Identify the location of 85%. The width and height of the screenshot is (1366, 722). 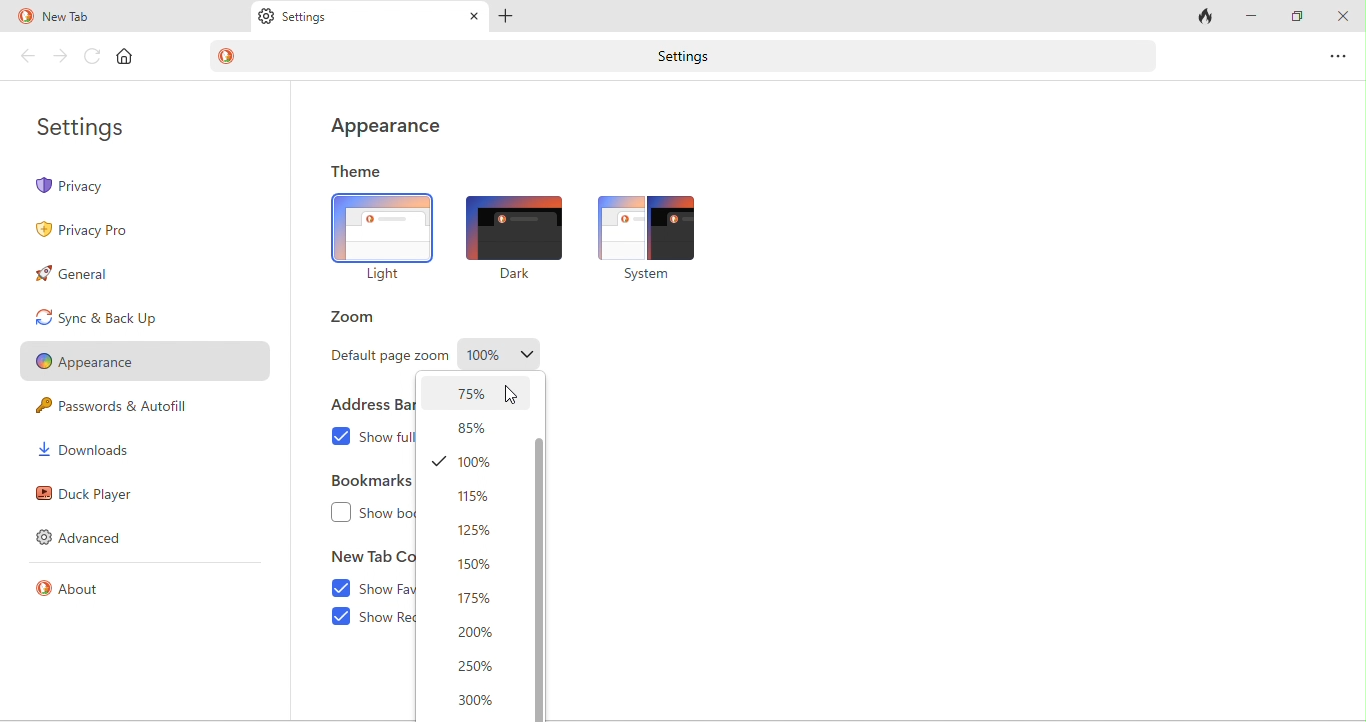
(479, 432).